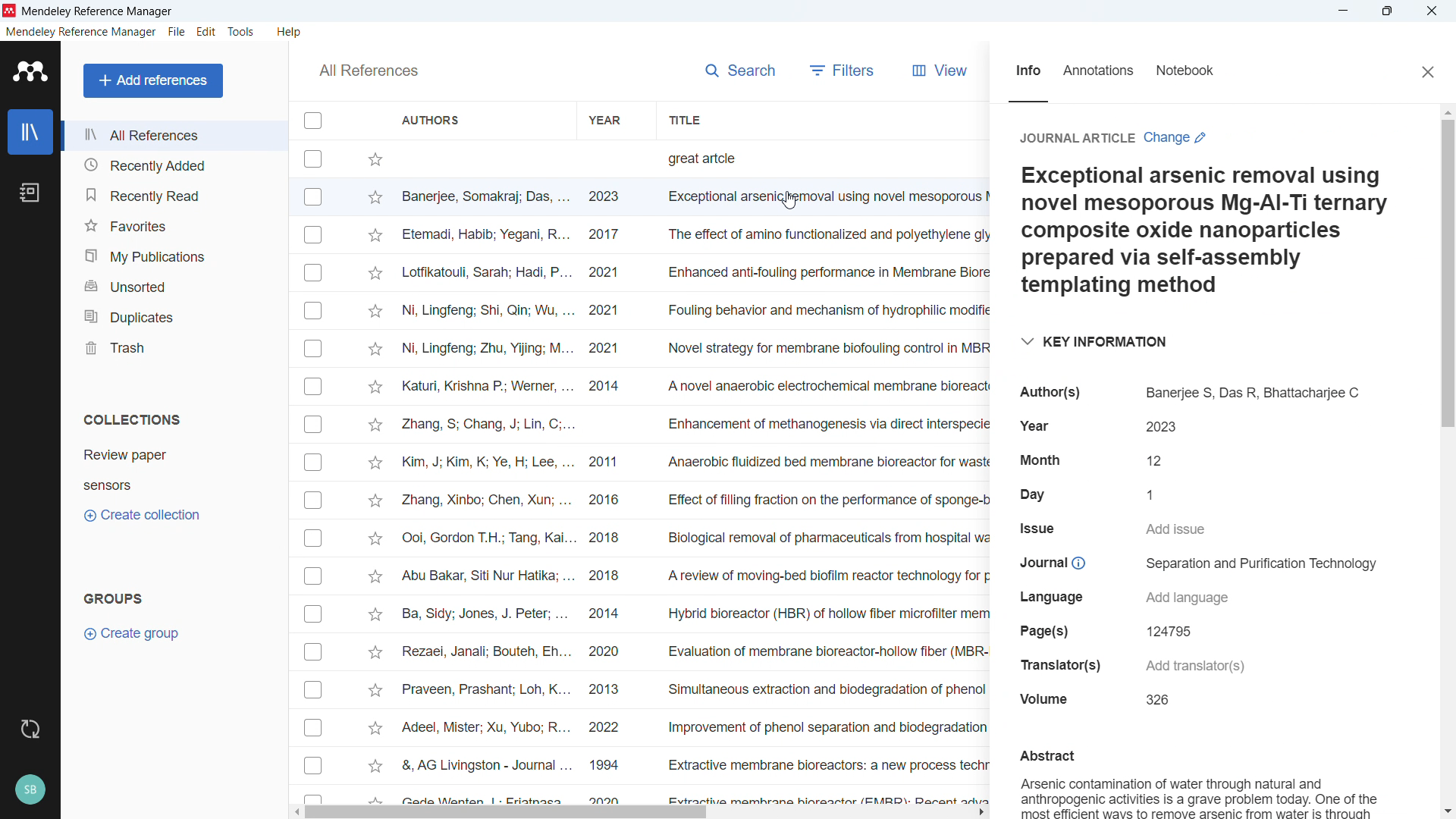 This screenshot has height=819, width=1456. What do you see at coordinates (1028, 71) in the screenshot?
I see `Info ` at bounding box center [1028, 71].